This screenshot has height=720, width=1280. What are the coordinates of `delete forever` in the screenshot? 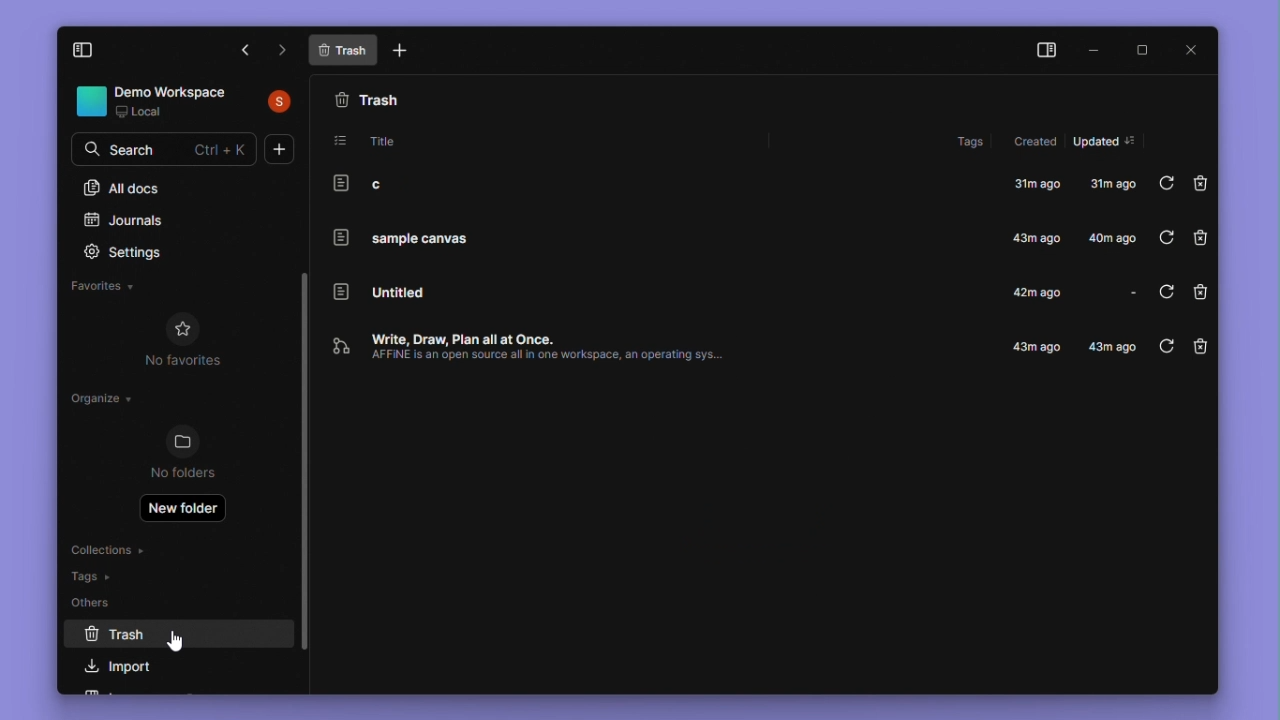 It's located at (1202, 184).